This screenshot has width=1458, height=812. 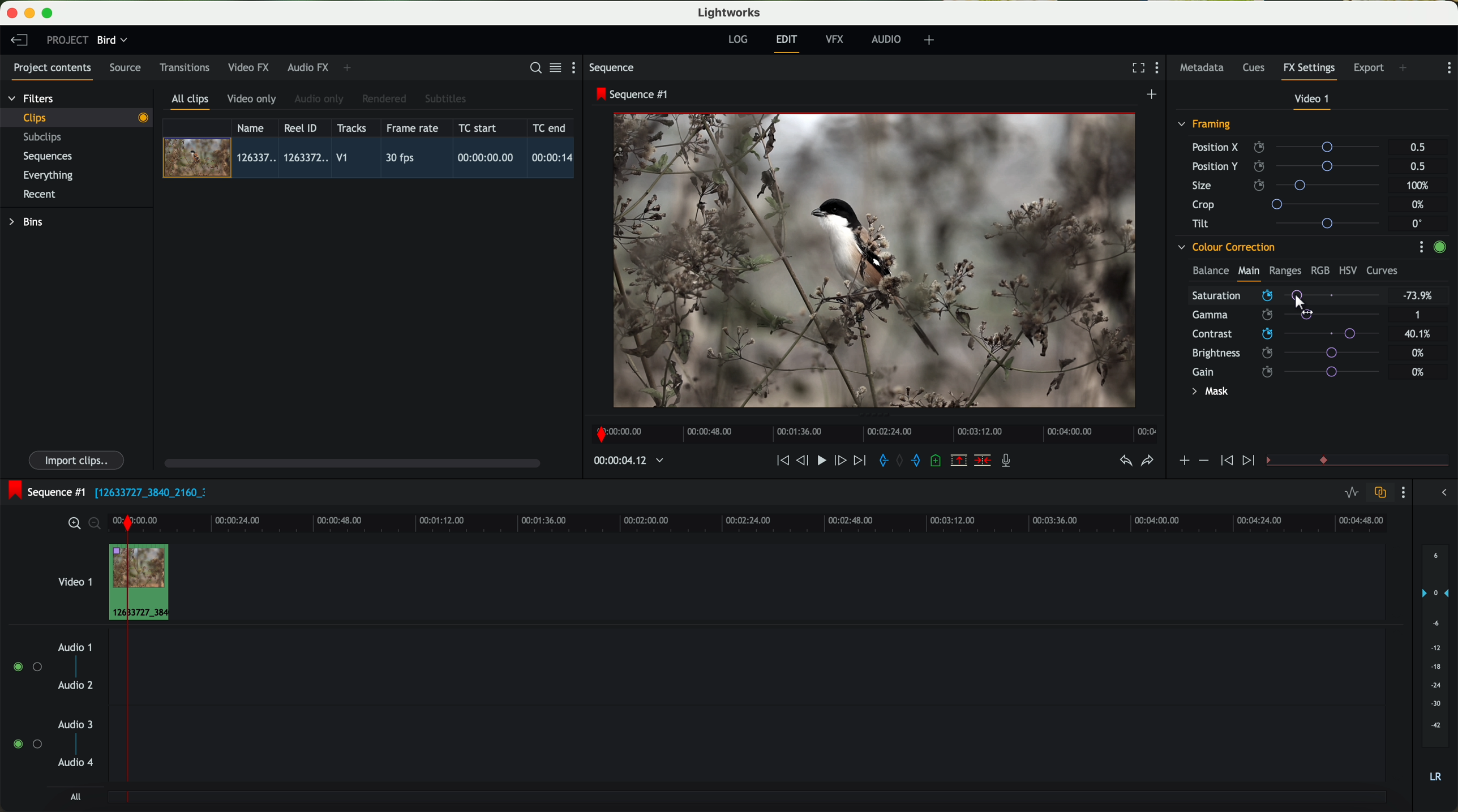 I want to click on audio FX, so click(x=308, y=67).